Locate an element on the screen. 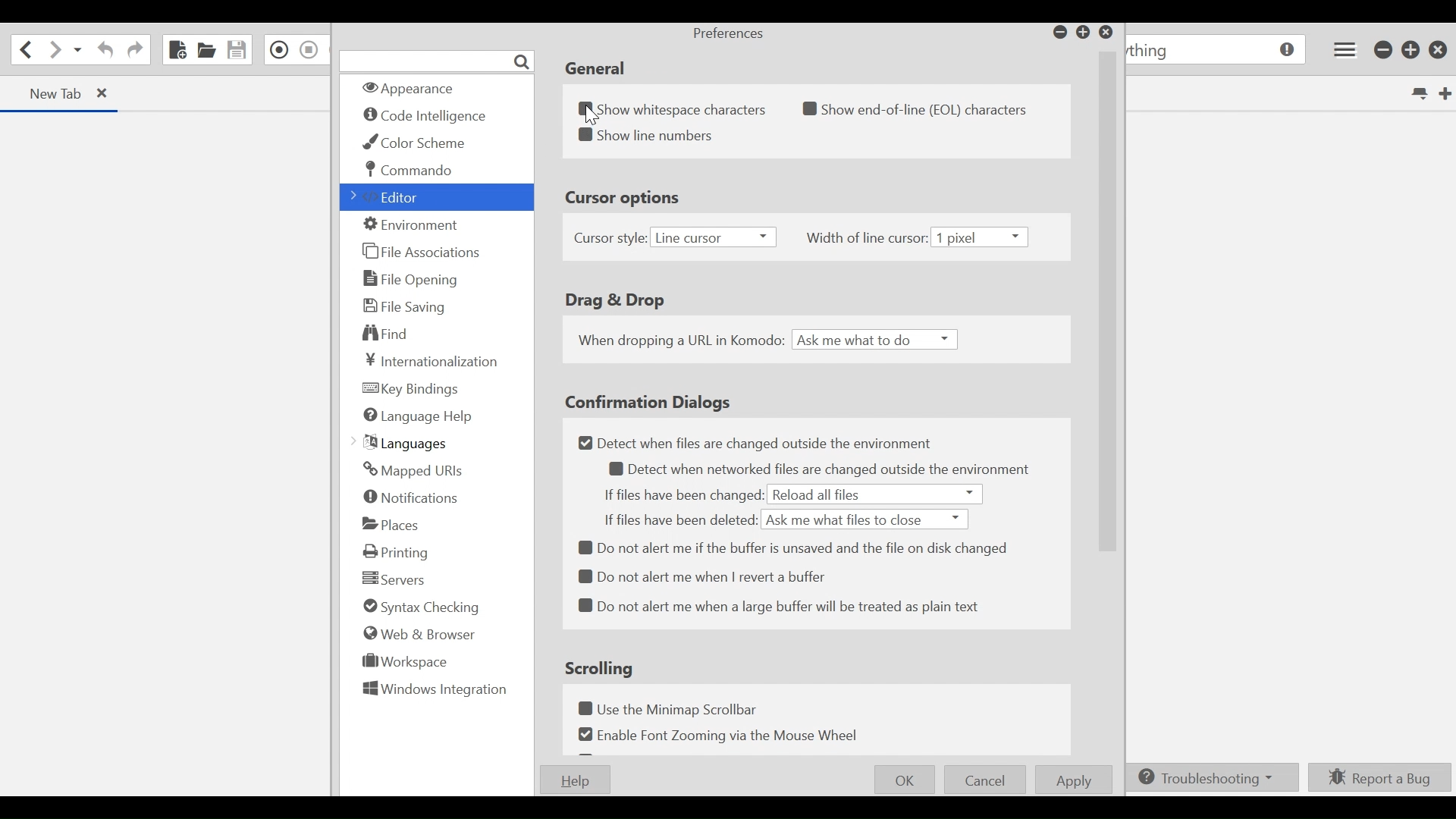 This screenshot has height=819, width=1456.  Detect when networked files are changed outside the environment.  is located at coordinates (813, 470).